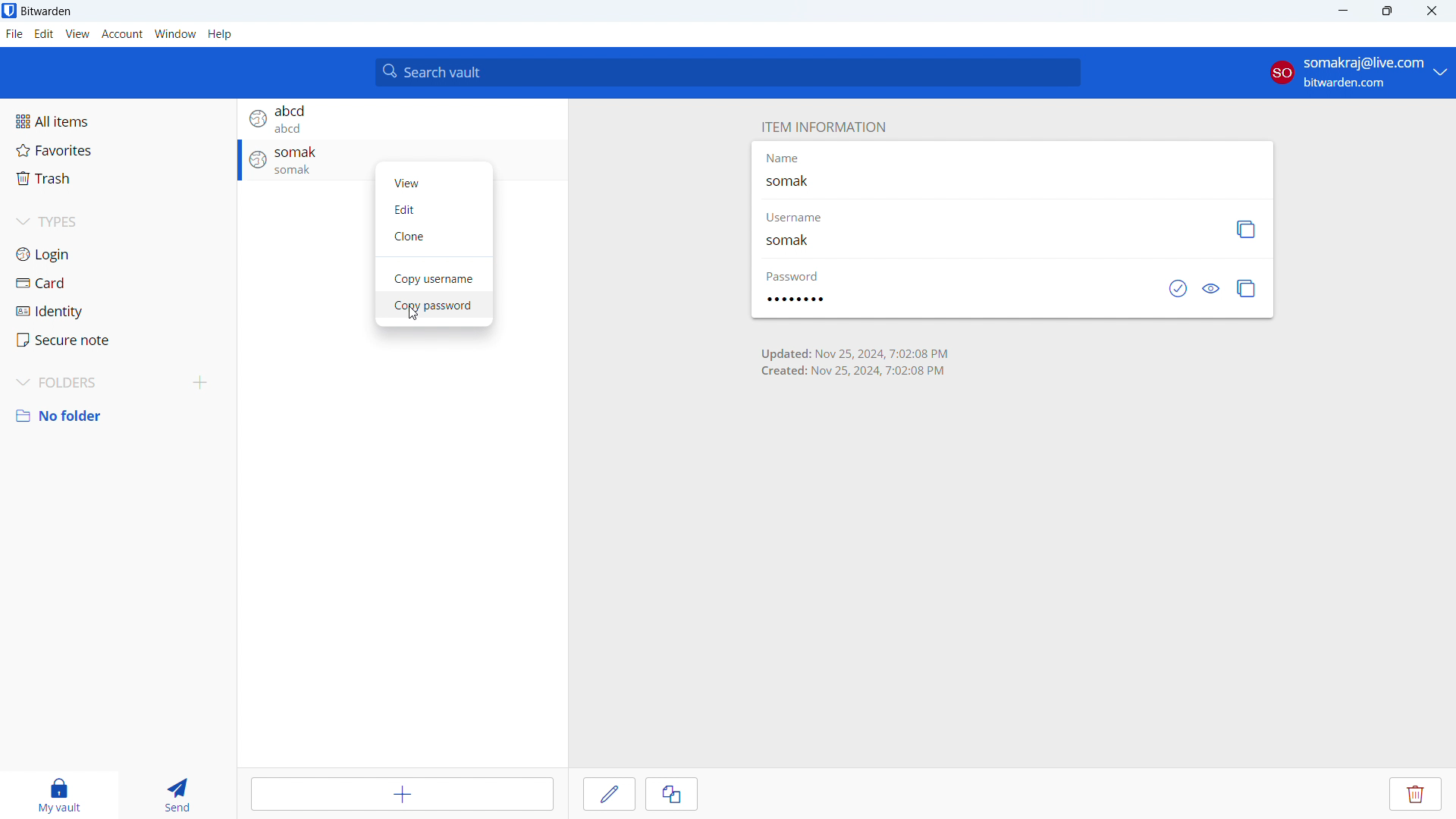 The width and height of the screenshot is (1456, 819). Describe the element at coordinates (800, 243) in the screenshot. I see `somak` at that location.